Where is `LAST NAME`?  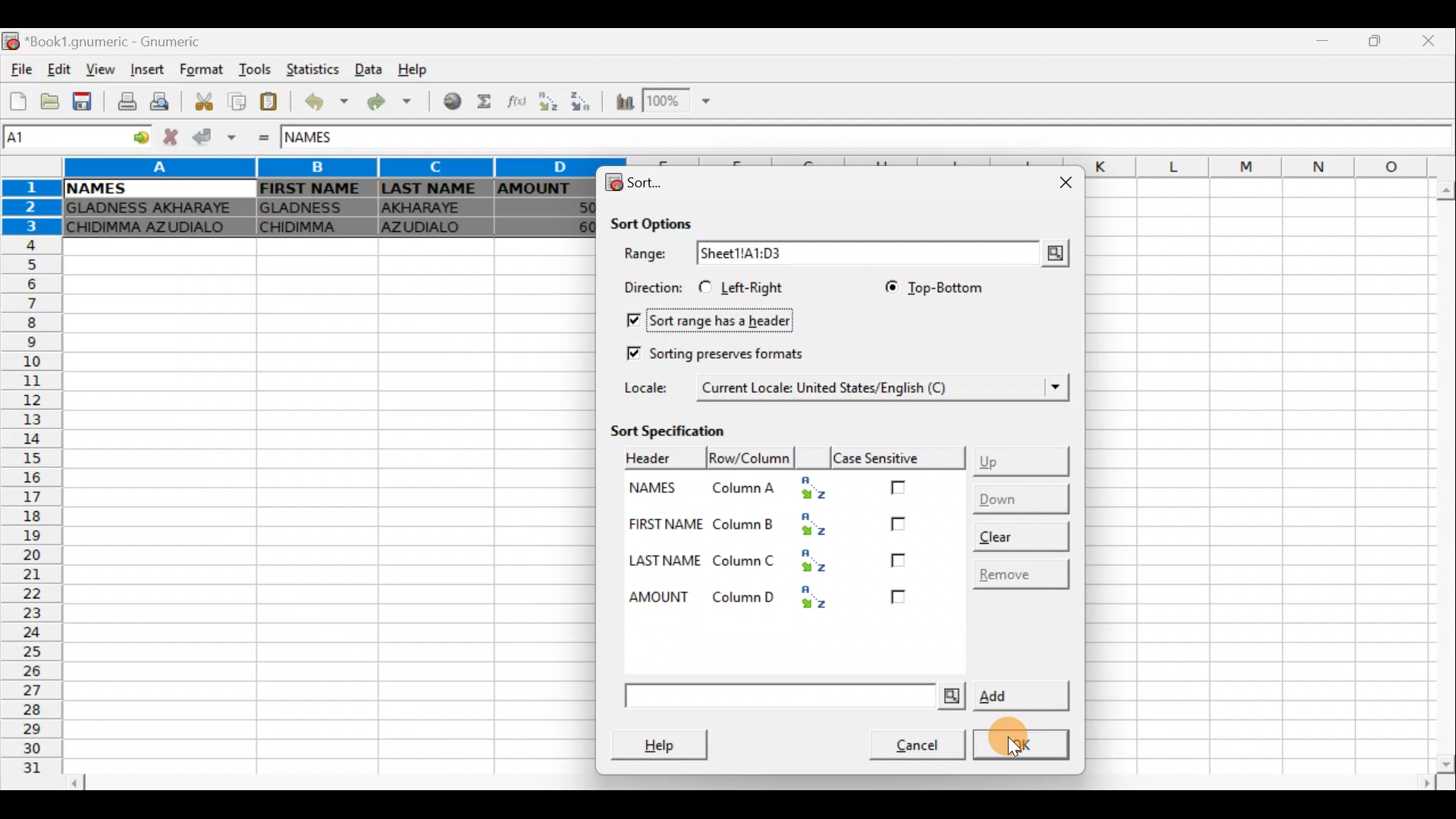 LAST NAME is located at coordinates (667, 562).